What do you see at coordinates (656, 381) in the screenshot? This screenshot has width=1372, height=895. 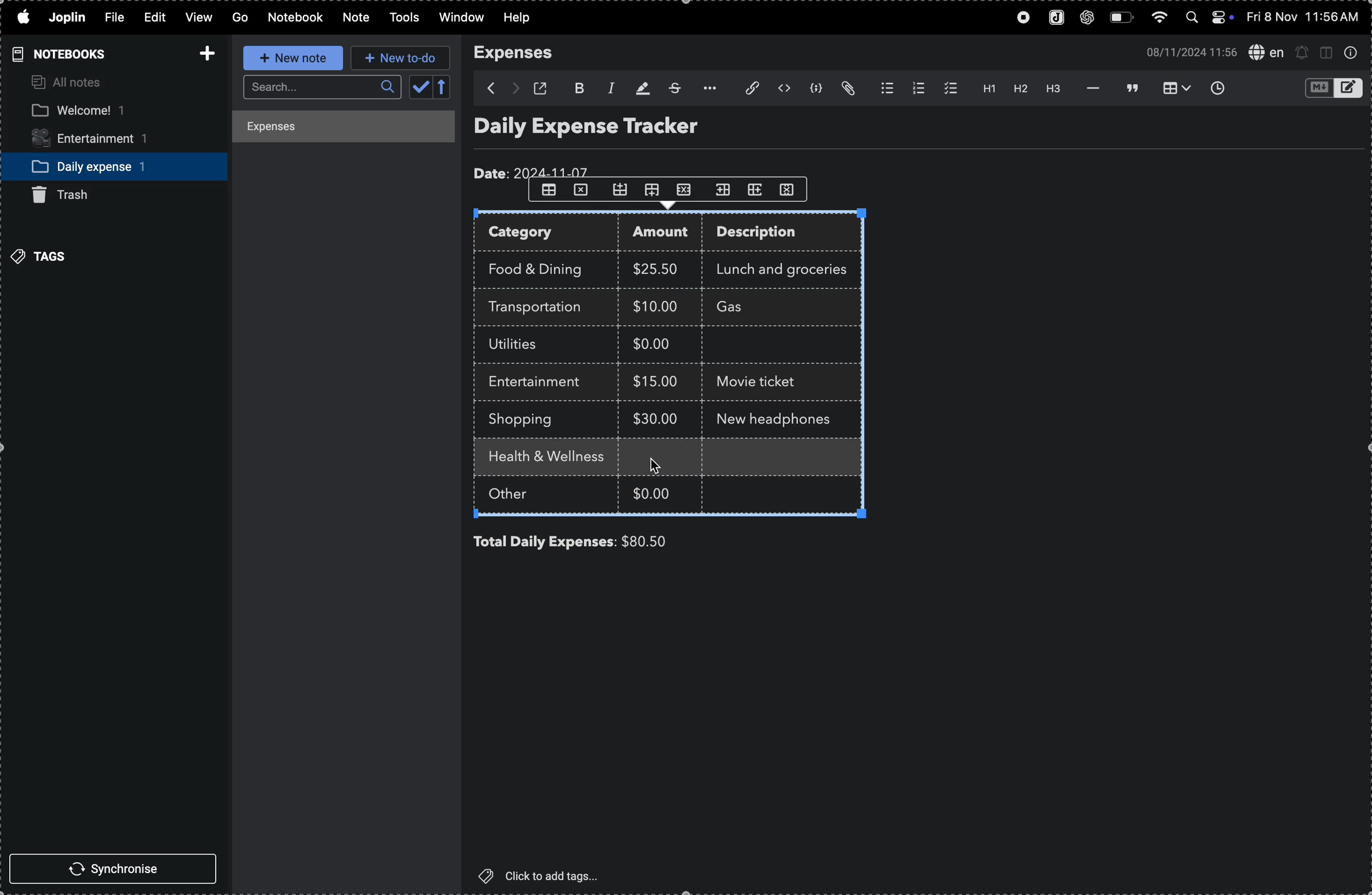 I see `$15.00` at bounding box center [656, 381].